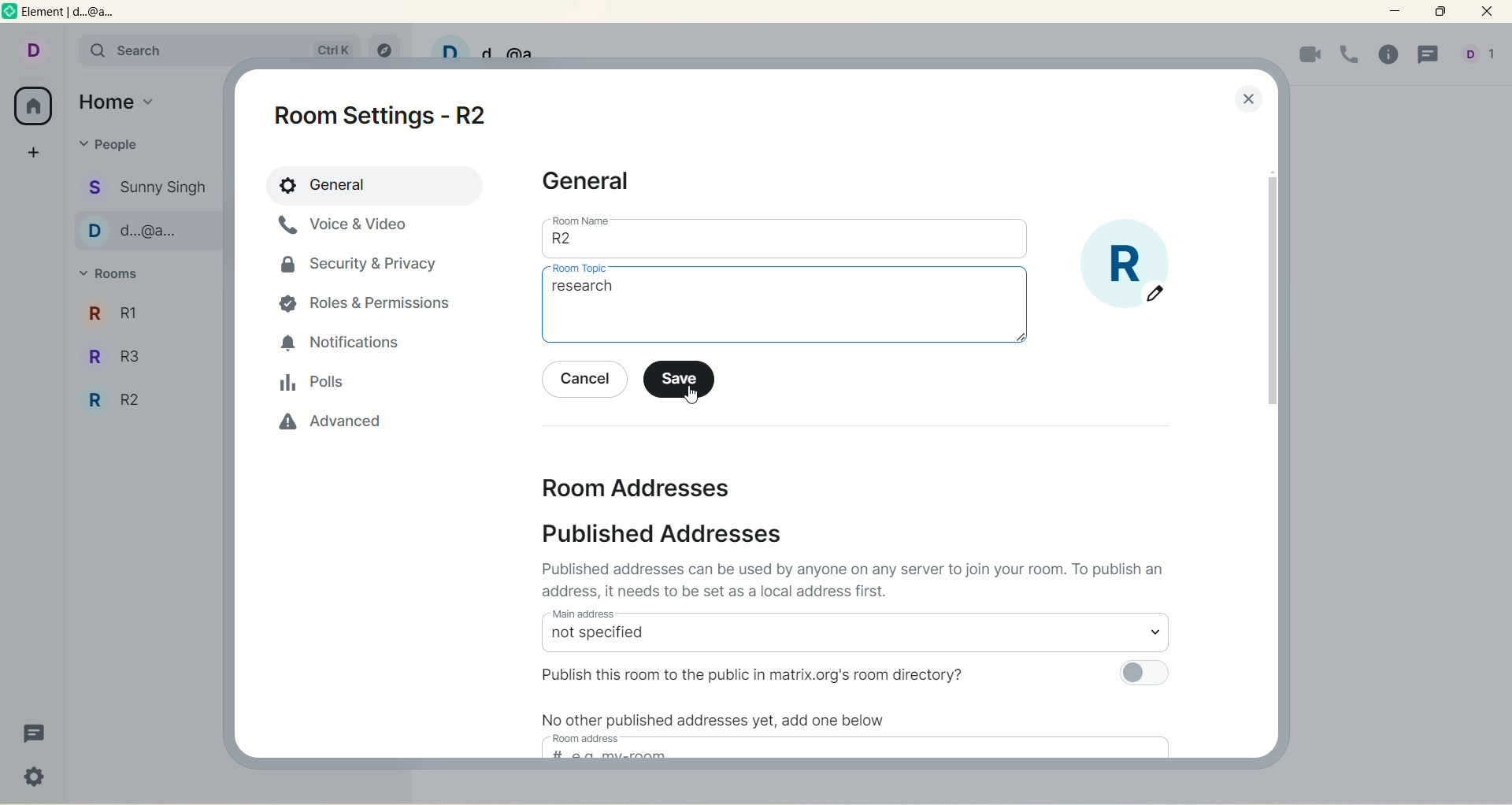  I want to click on save, so click(680, 380).